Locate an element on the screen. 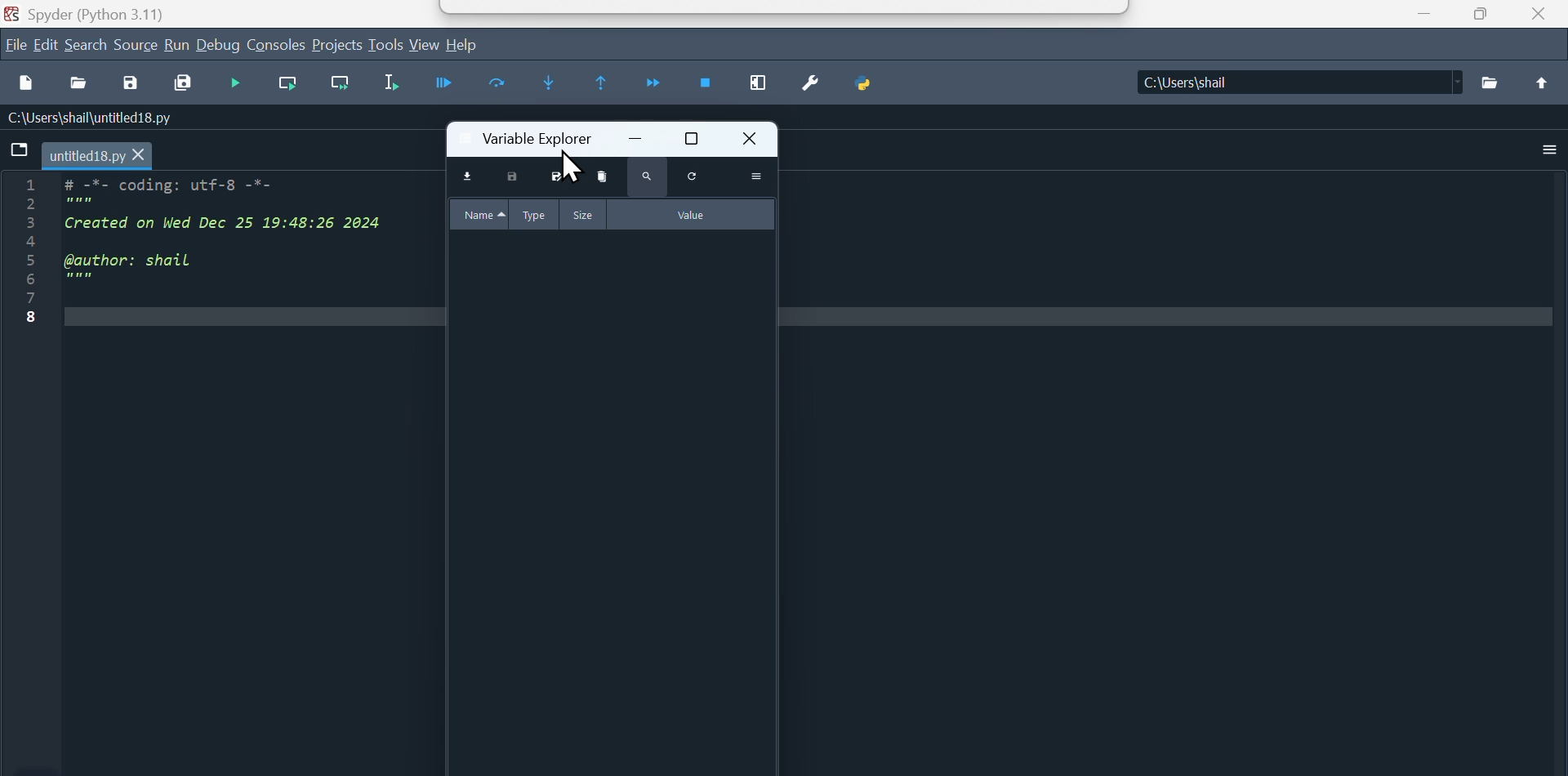 The height and width of the screenshot is (776, 1568). Help is located at coordinates (467, 43).